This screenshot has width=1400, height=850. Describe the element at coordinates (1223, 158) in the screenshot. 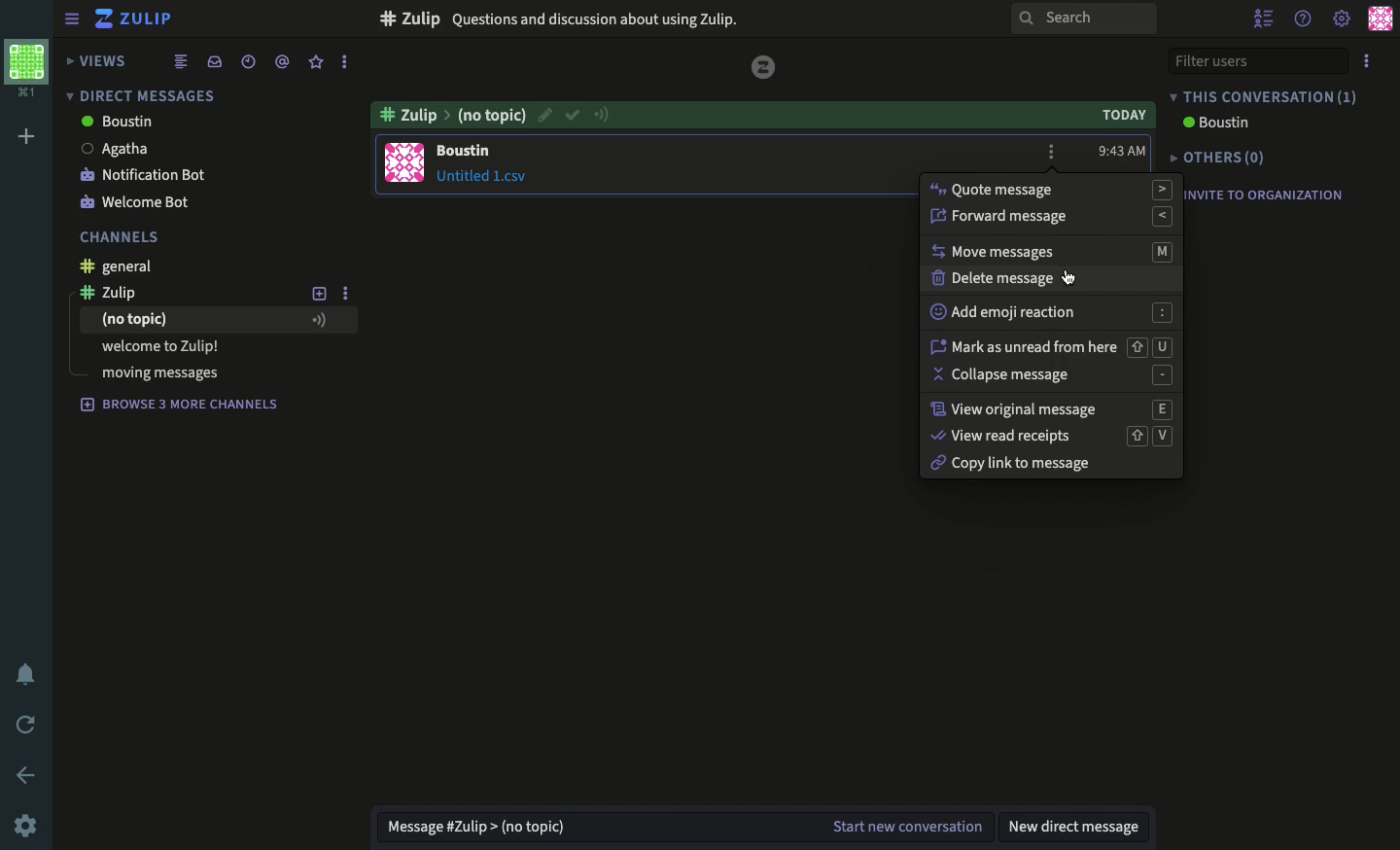

I see `Others` at that location.